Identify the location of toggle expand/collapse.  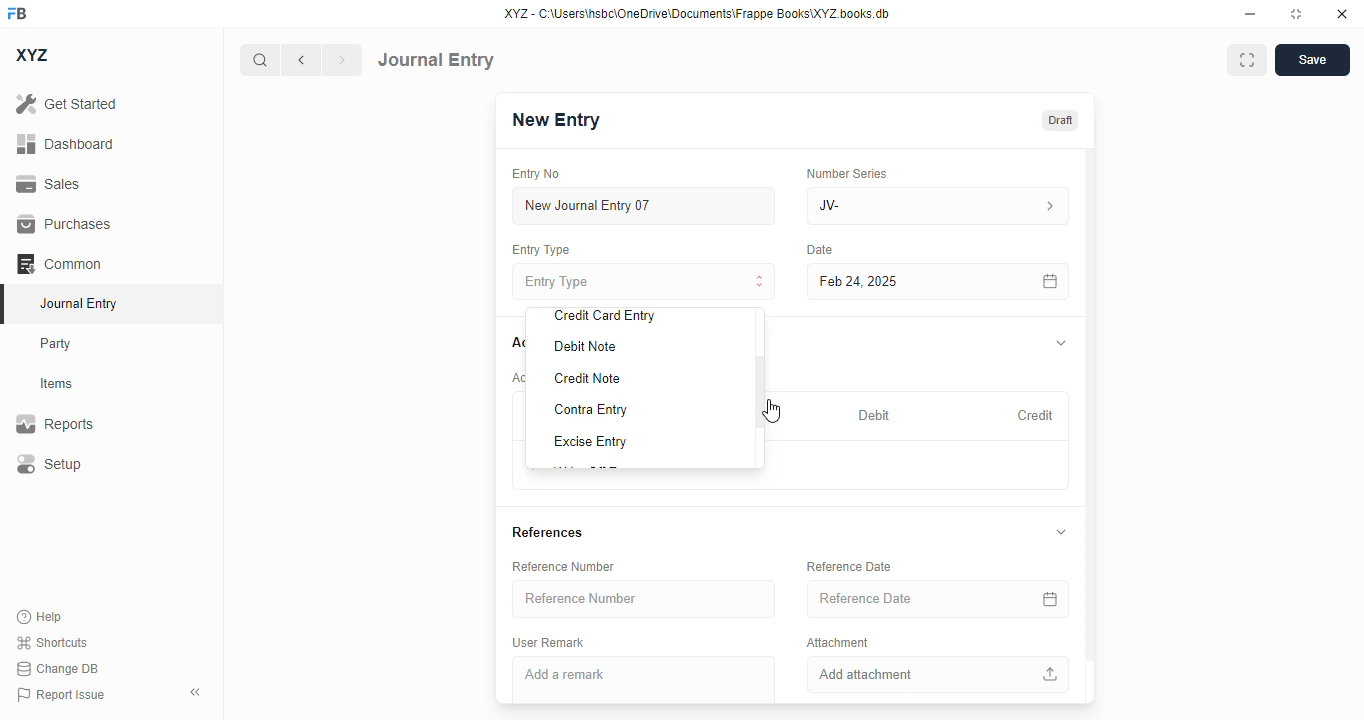
(1062, 342).